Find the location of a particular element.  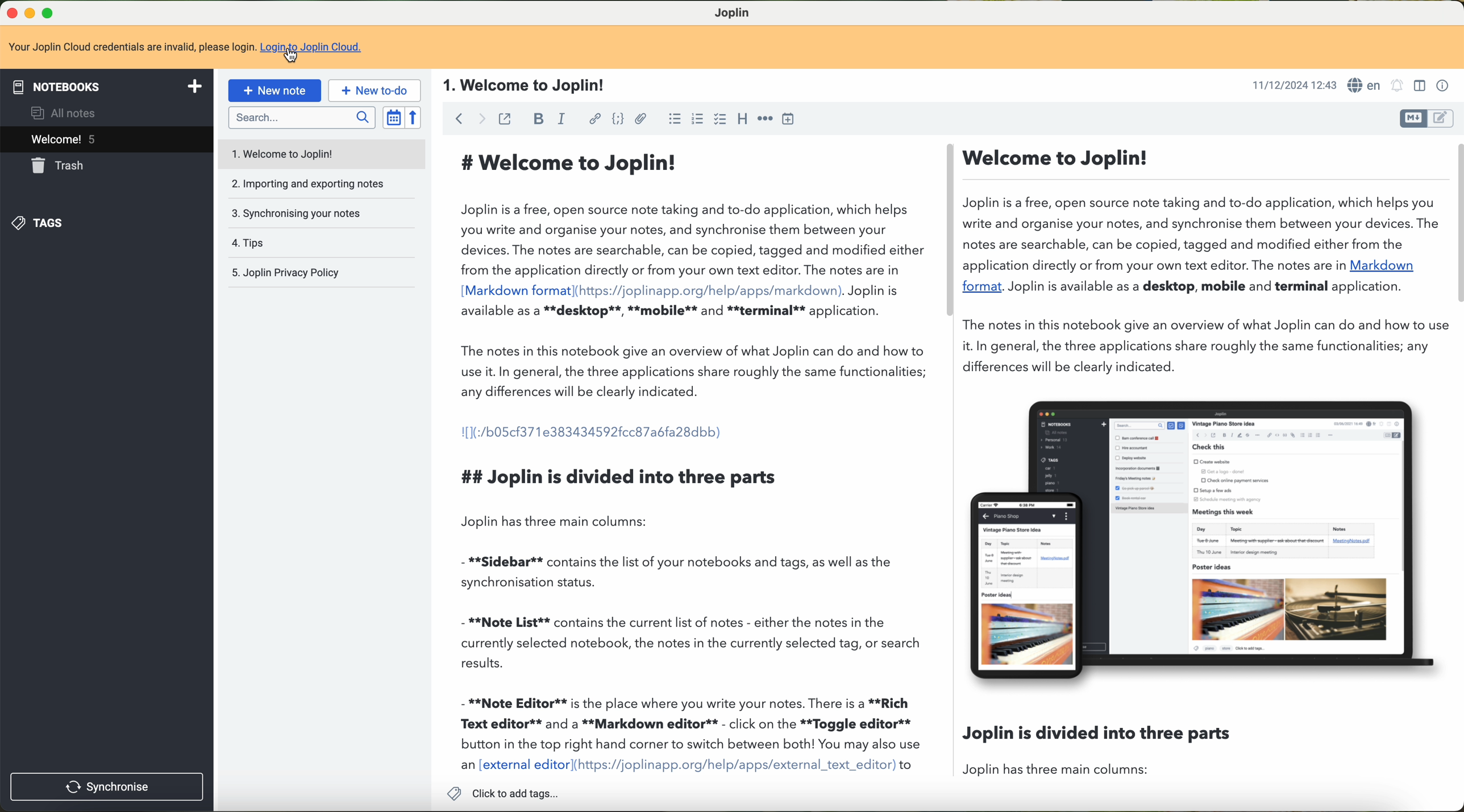

bold is located at coordinates (536, 118).